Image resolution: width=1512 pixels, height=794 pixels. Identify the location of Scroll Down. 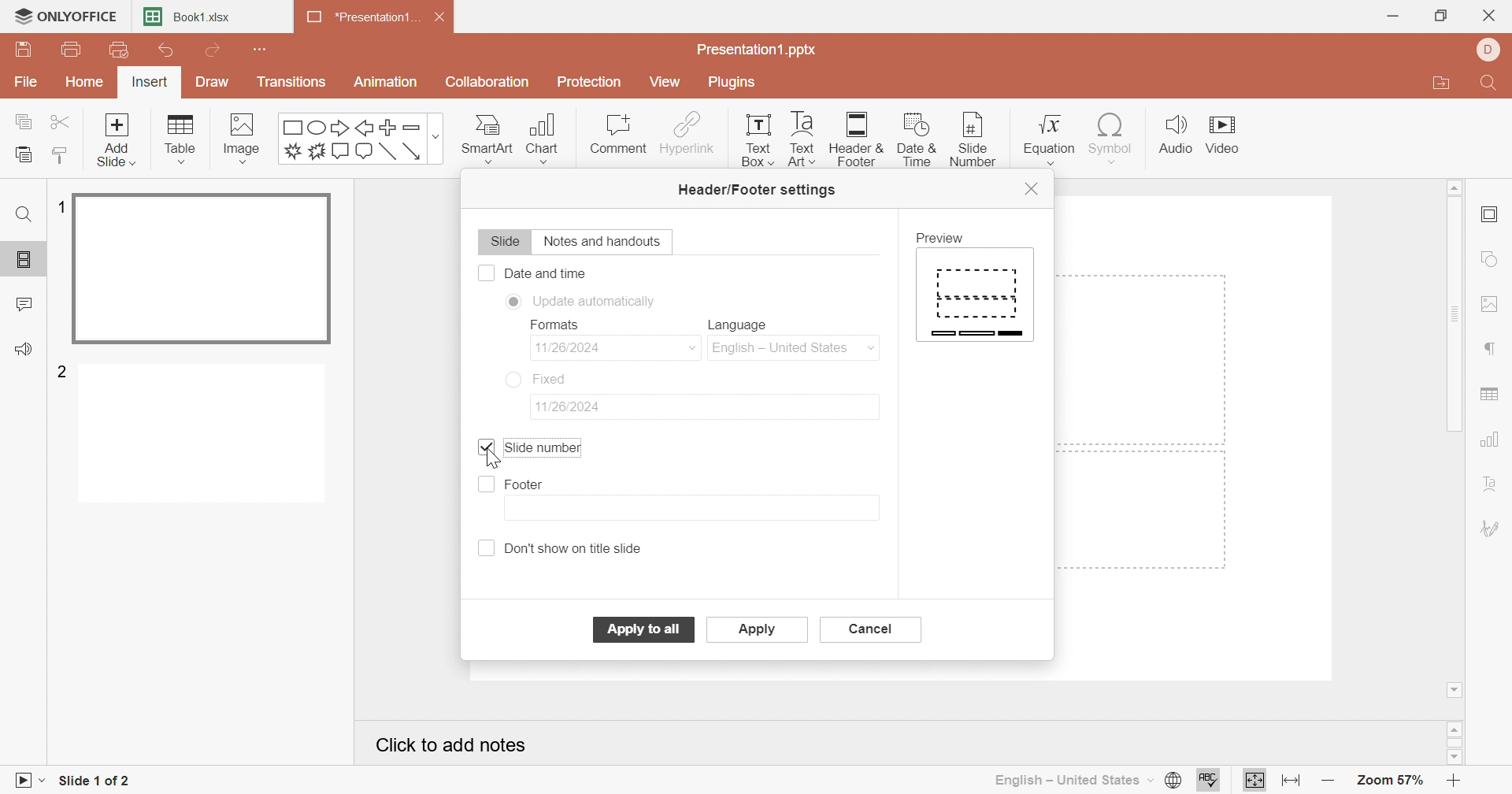
(1451, 755).